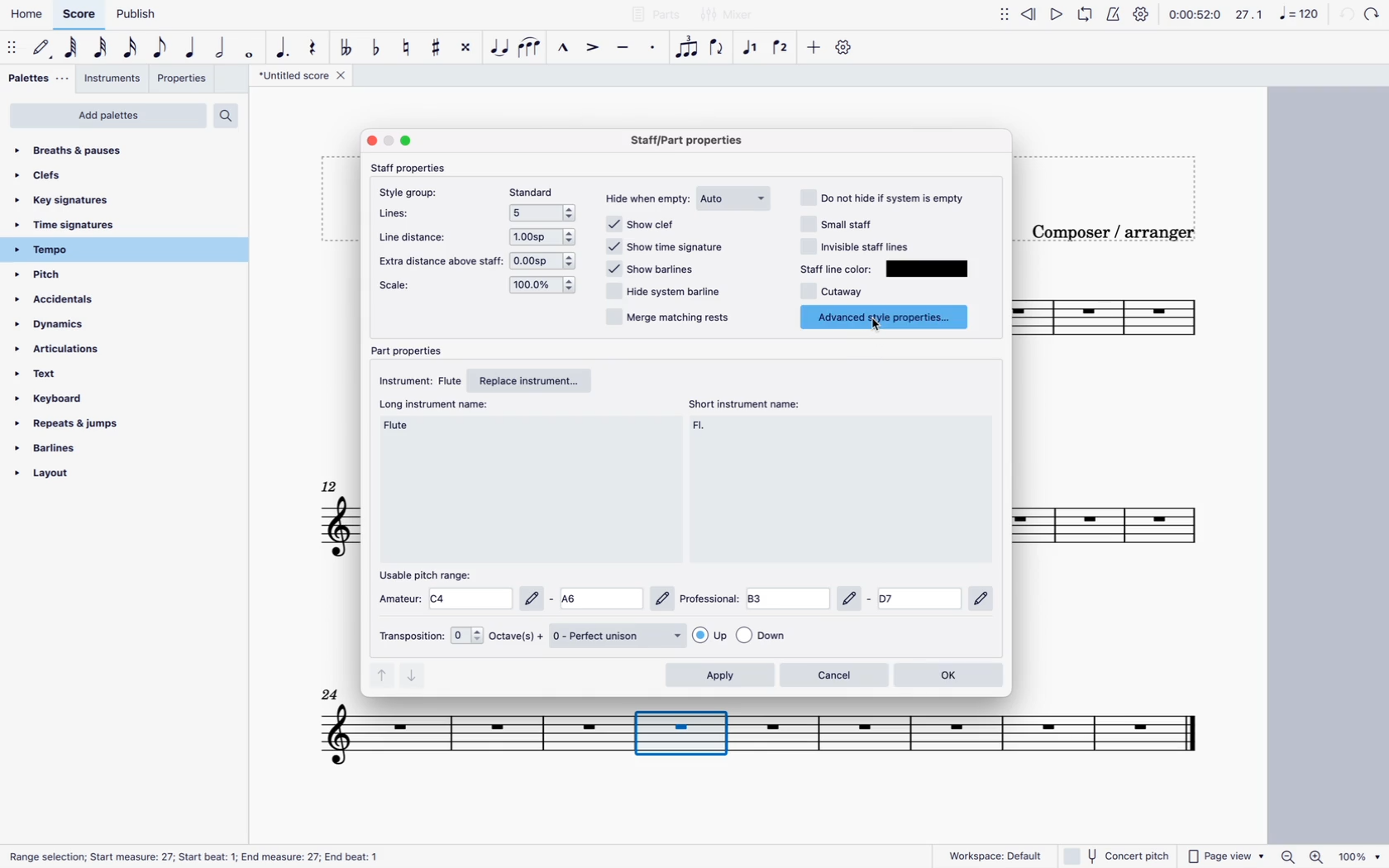 This screenshot has width=1389, height=868. I want to click on publish, so click(135, 16).